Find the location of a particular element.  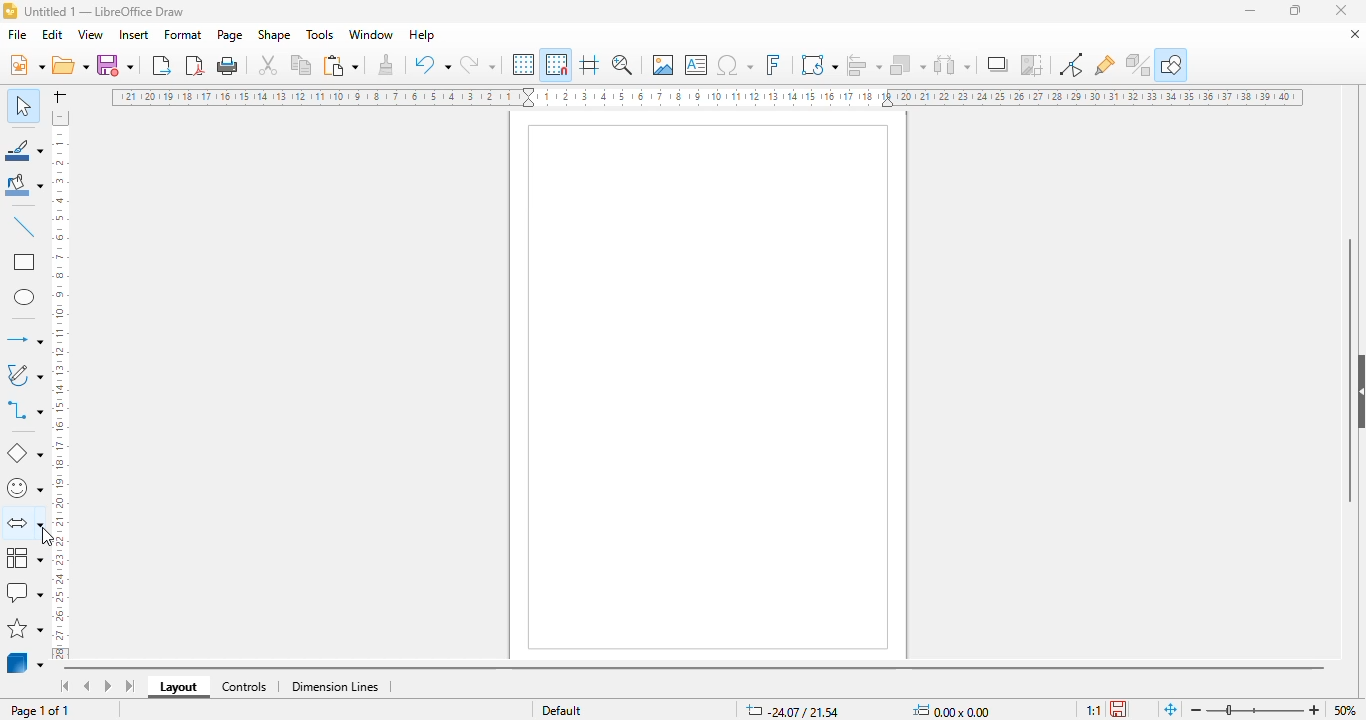

title is located at coordinates (104, 12).